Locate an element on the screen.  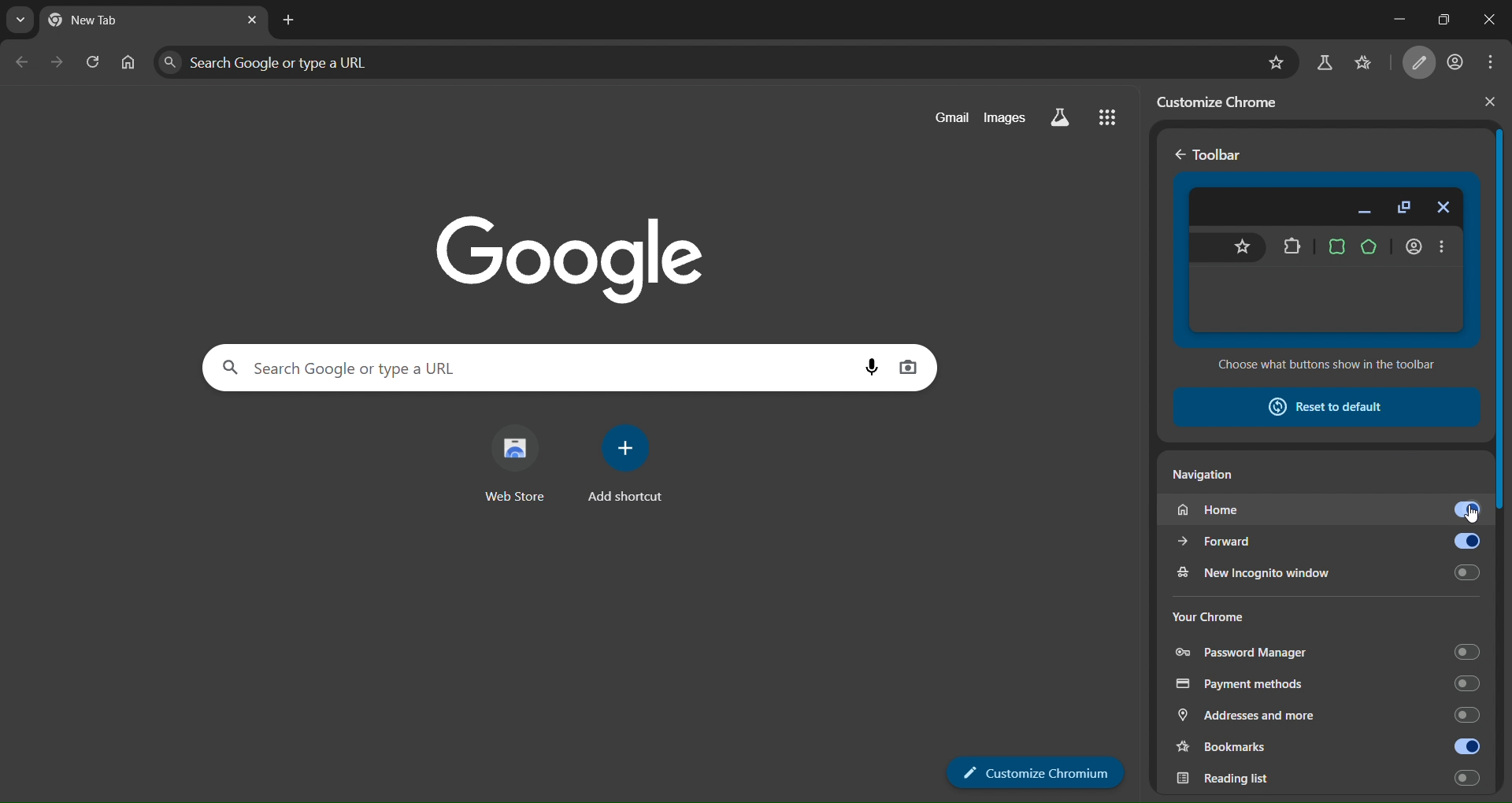
search tabs is located at coordinates (16, 20).